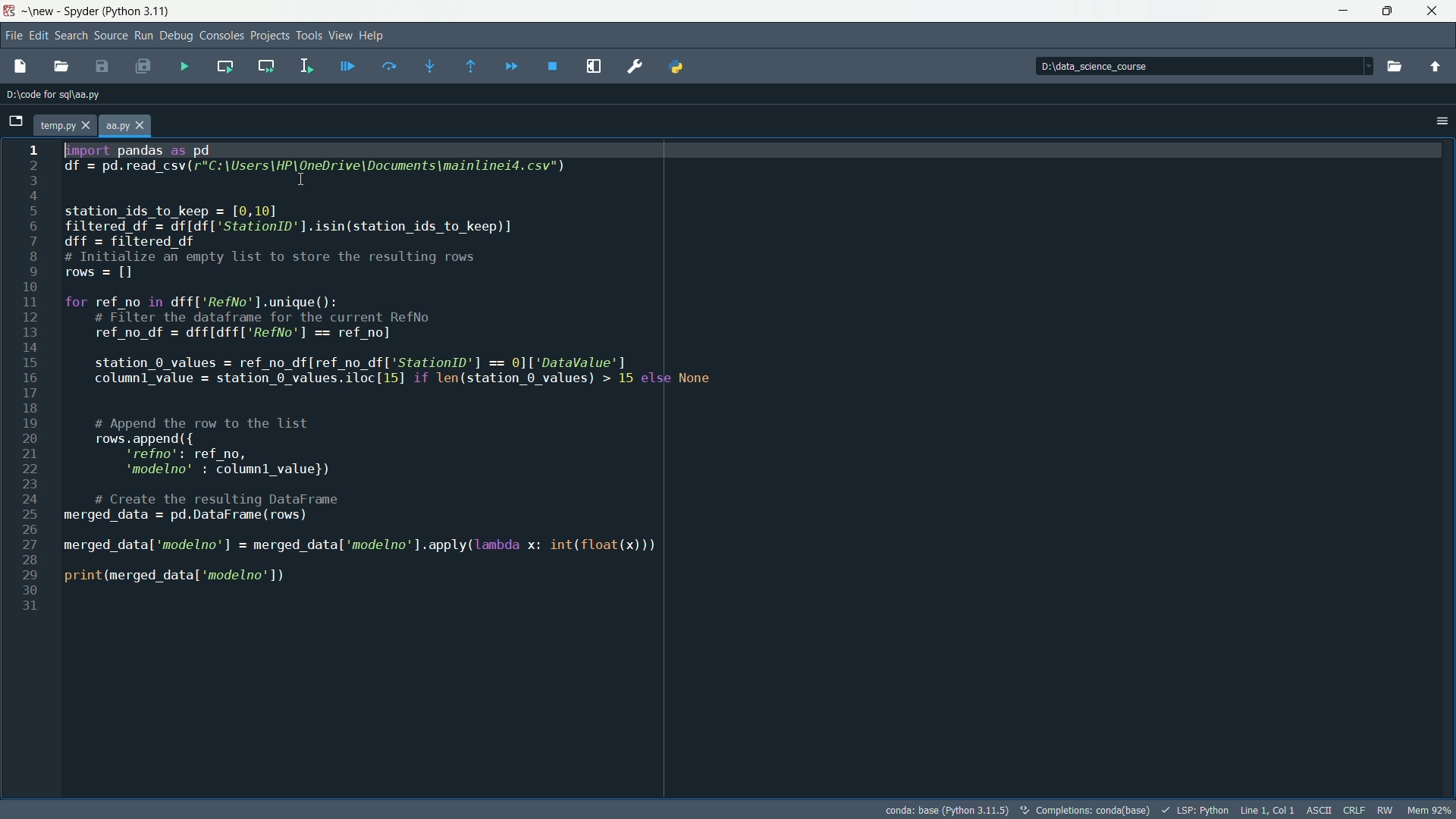  Describe the element at coordinates (309, 36) in the screenshot. I see `tools menu` at that location.